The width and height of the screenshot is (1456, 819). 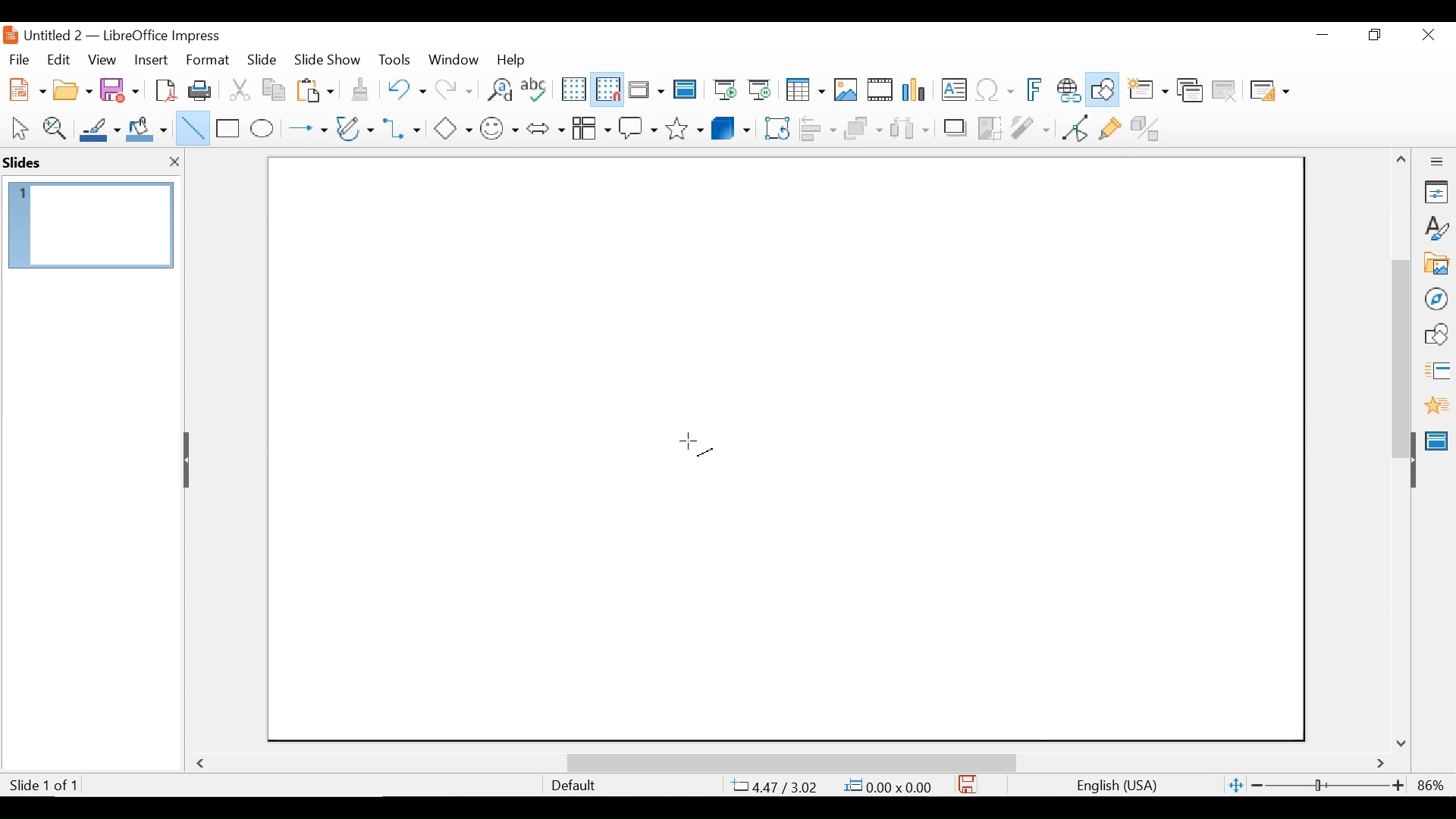 I want to click on Cursor, so click(x=697, y=447).